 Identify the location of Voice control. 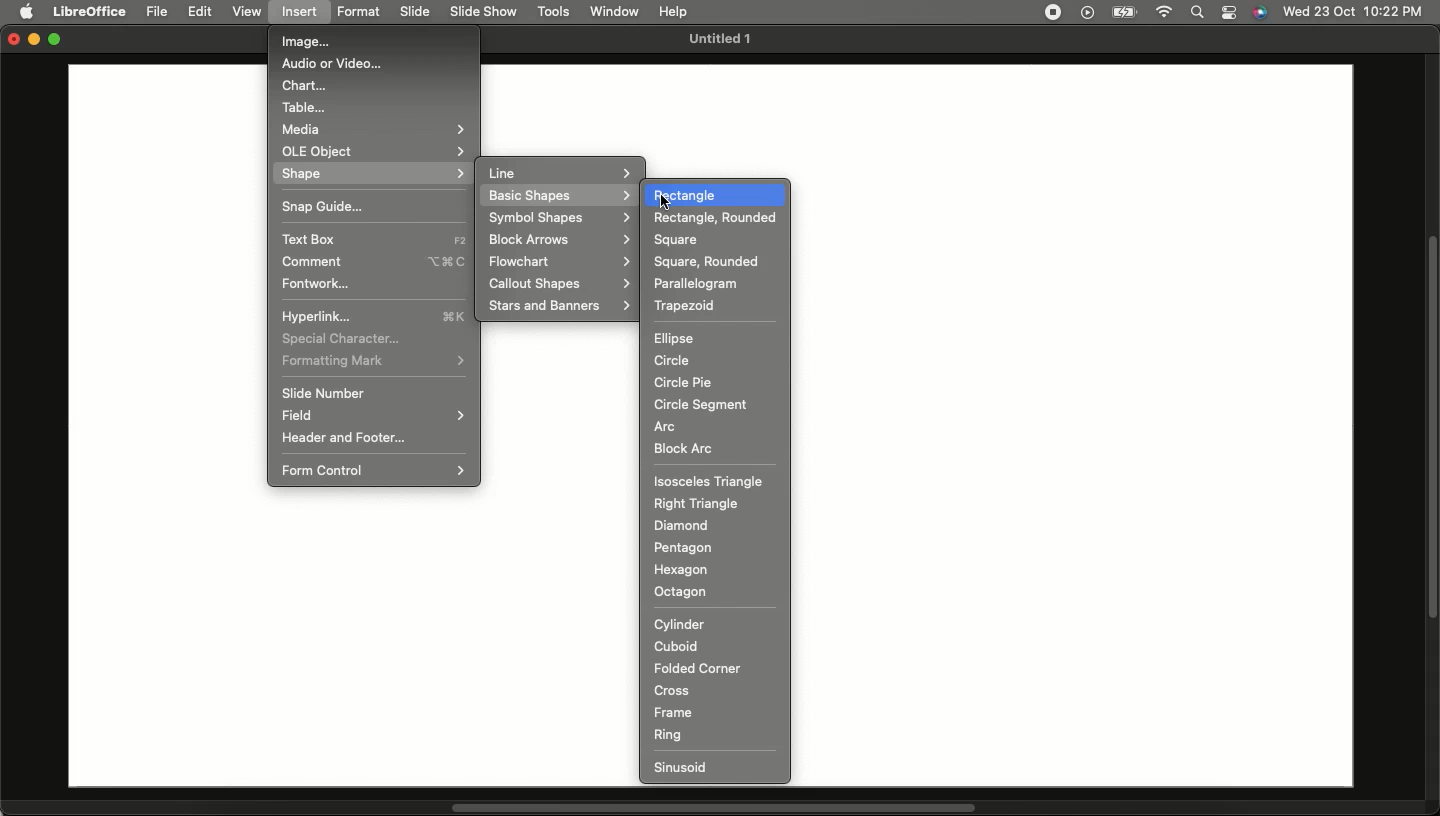
(1259, 13).